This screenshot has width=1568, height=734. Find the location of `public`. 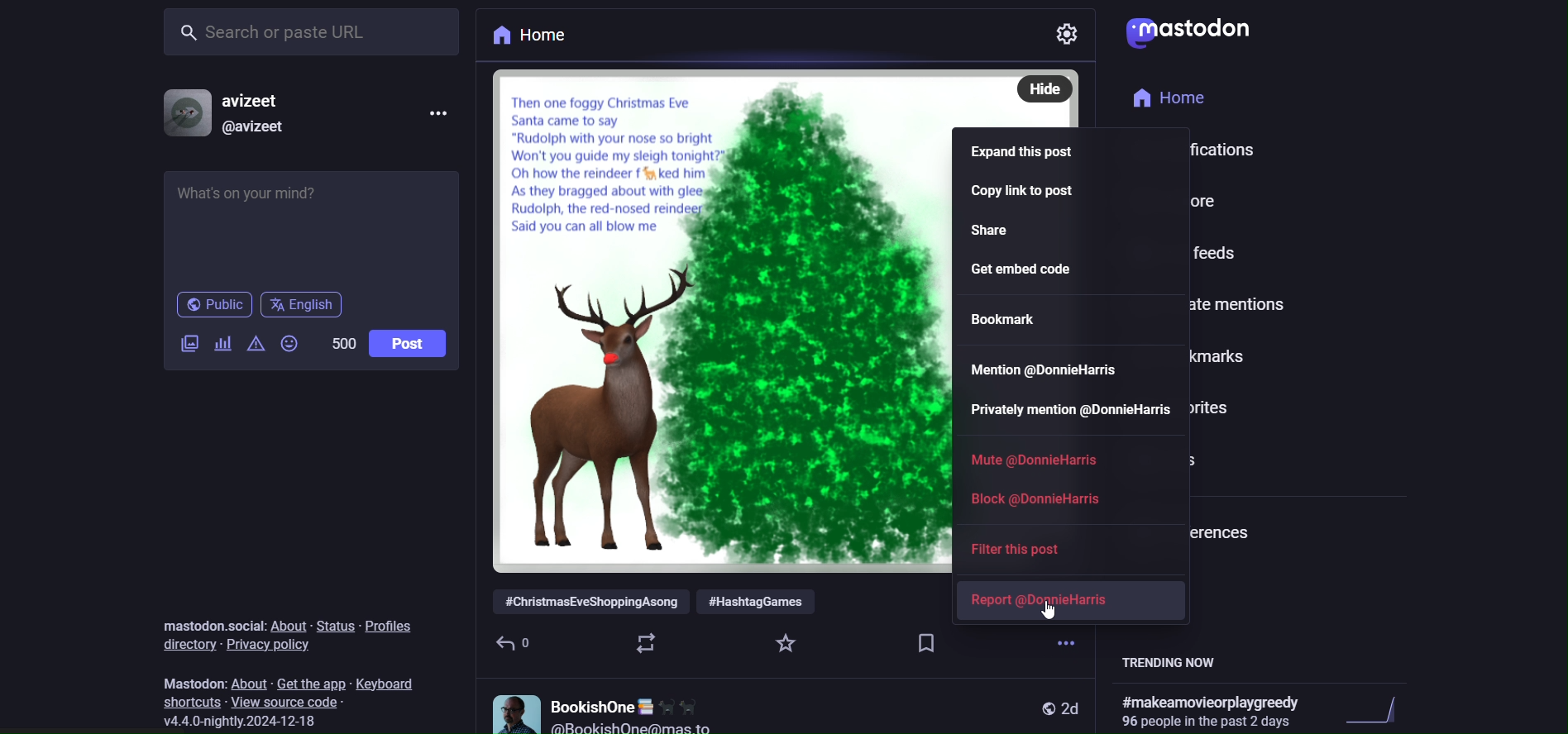

public is located at coordinates (1037, 706).